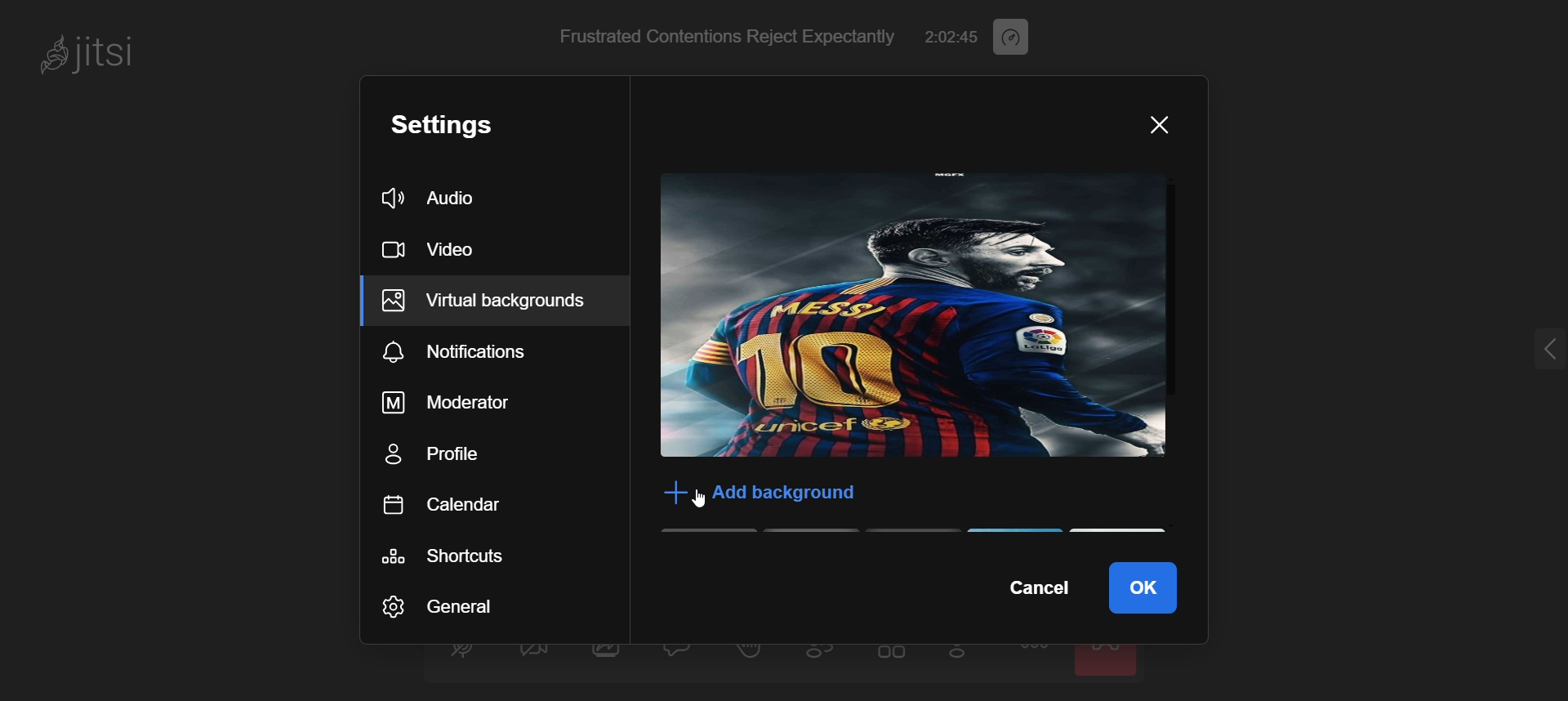  Describe the element at coordinates (438, 245) in the screenshot. I see `video` at that location.